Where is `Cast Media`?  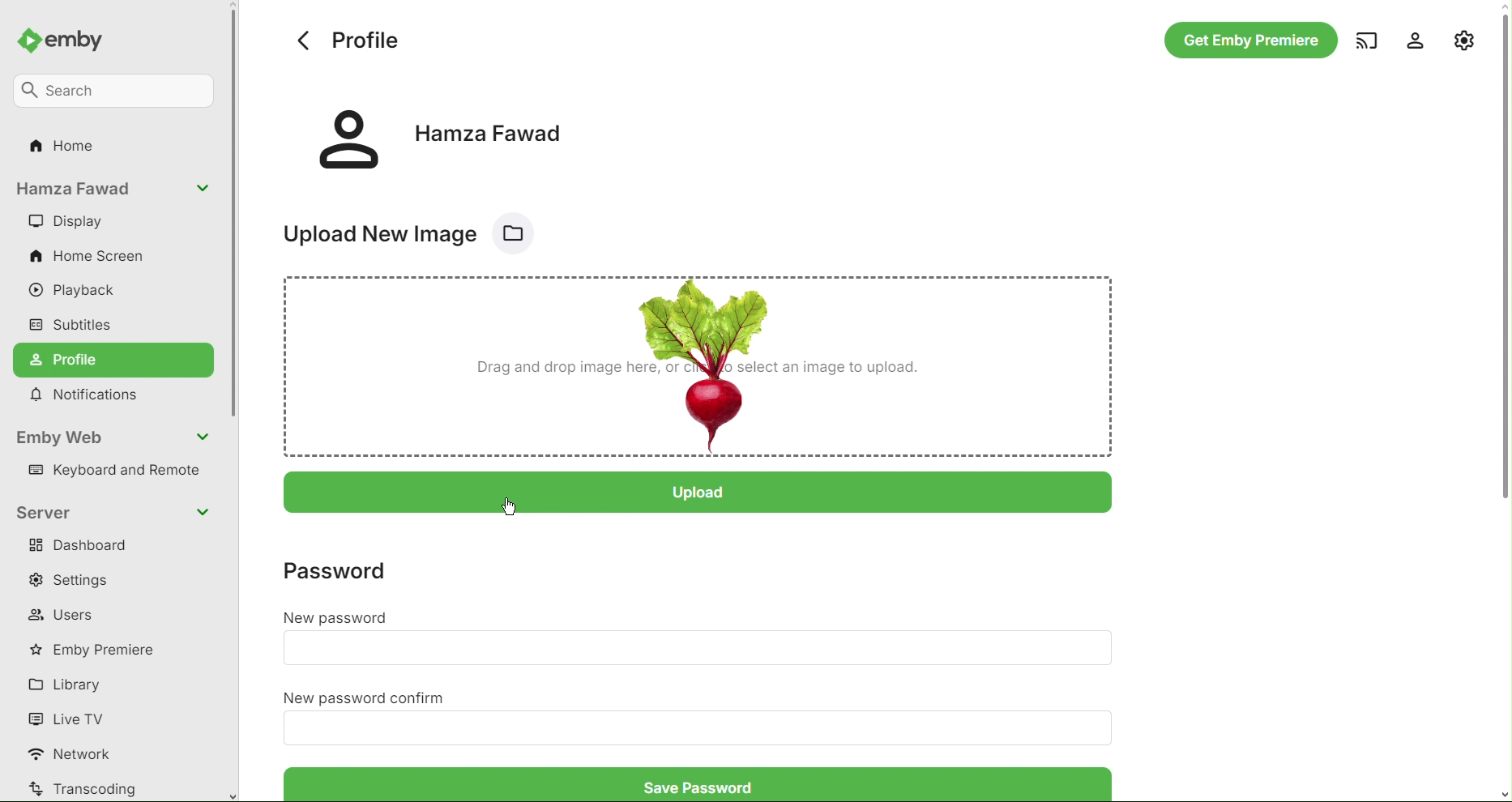
Cast Media is located at coordinates (1364, 41).